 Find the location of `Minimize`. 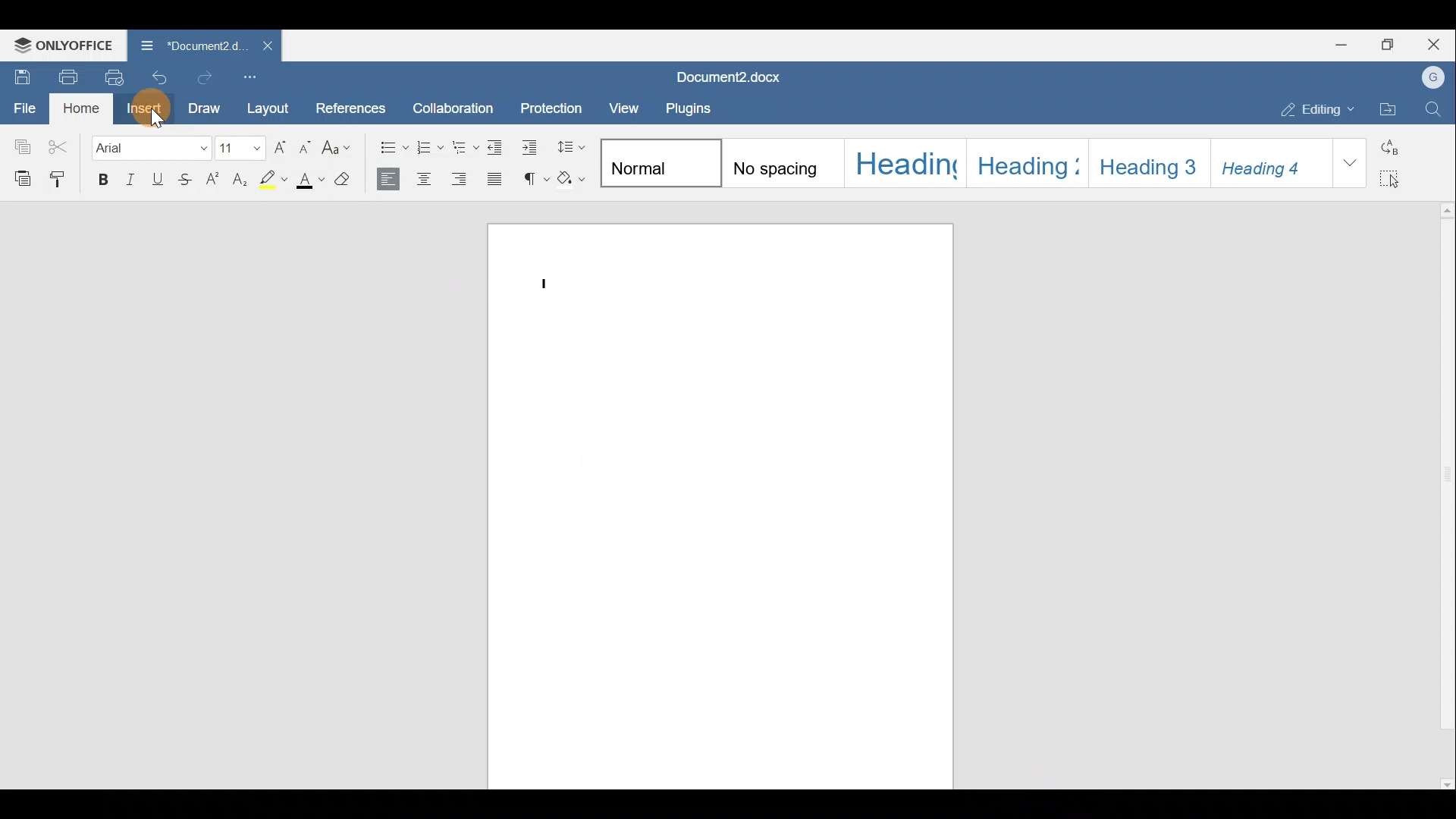

Minimize is located at coordinates (1347, 43).